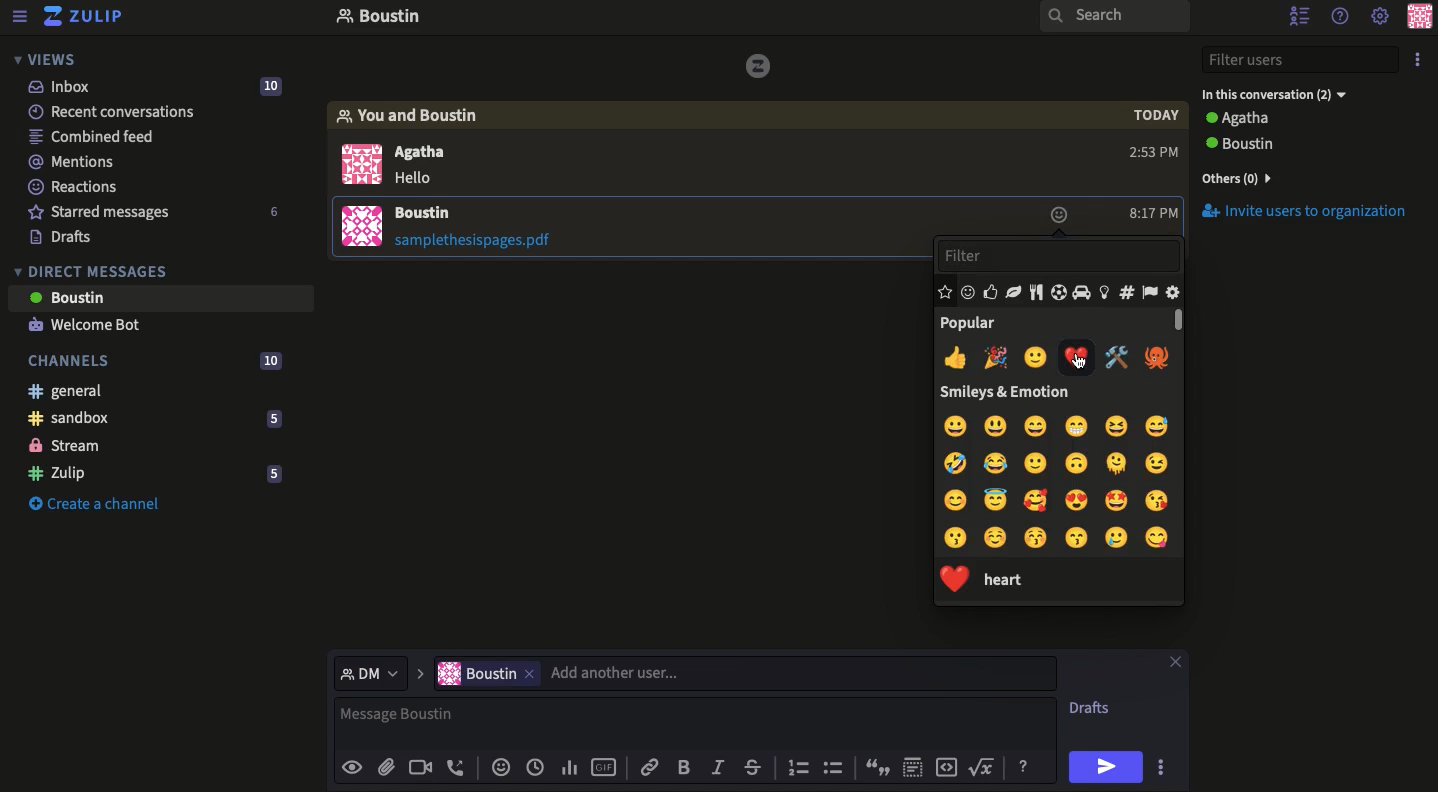 Image resolution: width=1438 pixels, height=792 pixels. What do you see at coordinates (385, 766) in the screenshot?
I see `Attachment` at bounding box center [385, 766].